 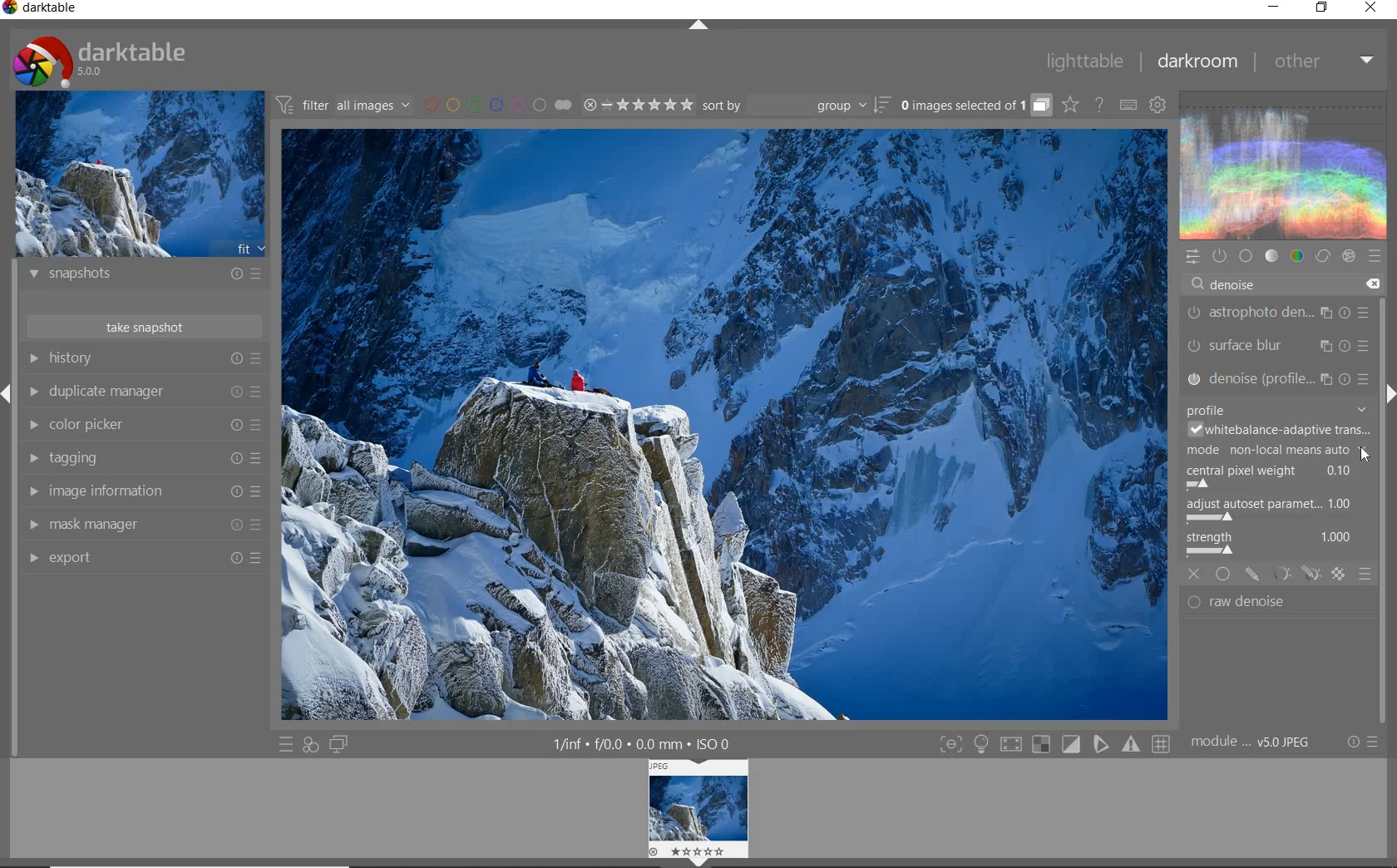 What do you see at coordinates (1322, 255) in the screenshot?
I see `correct` at bounding box center [1322, 255].